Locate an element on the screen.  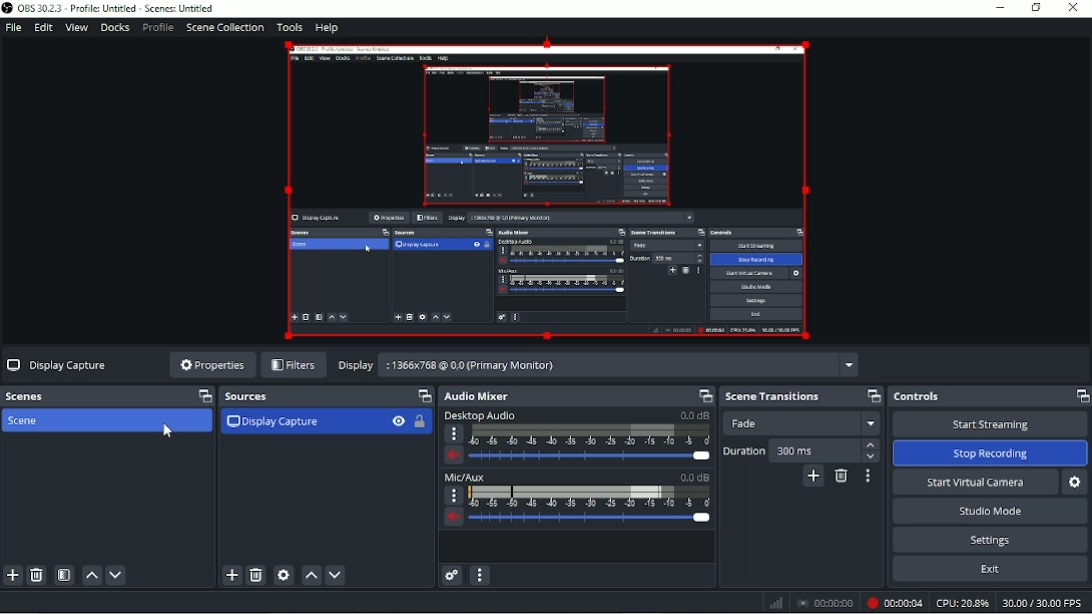
Open scene filters is located at coordinates (65, 576).